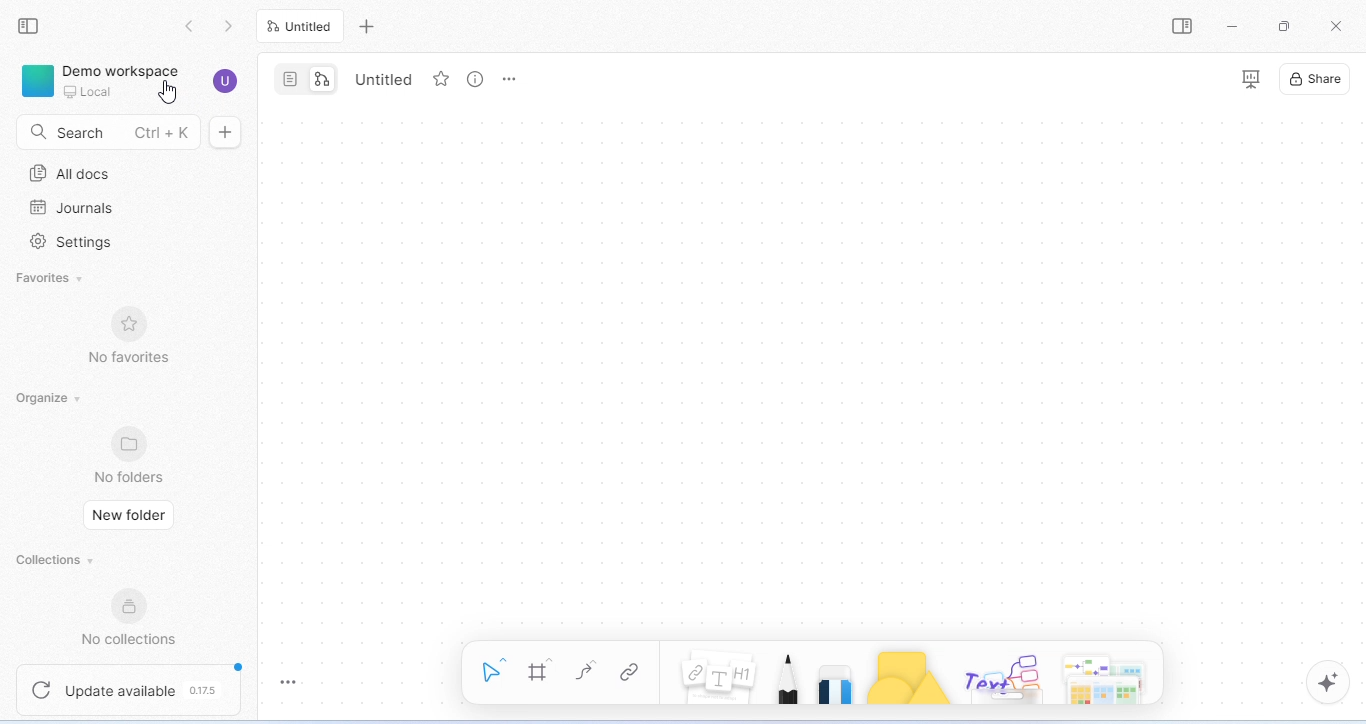  Describe the element at coordinates (230, 80) in the screenshot. I see `account` at that location.